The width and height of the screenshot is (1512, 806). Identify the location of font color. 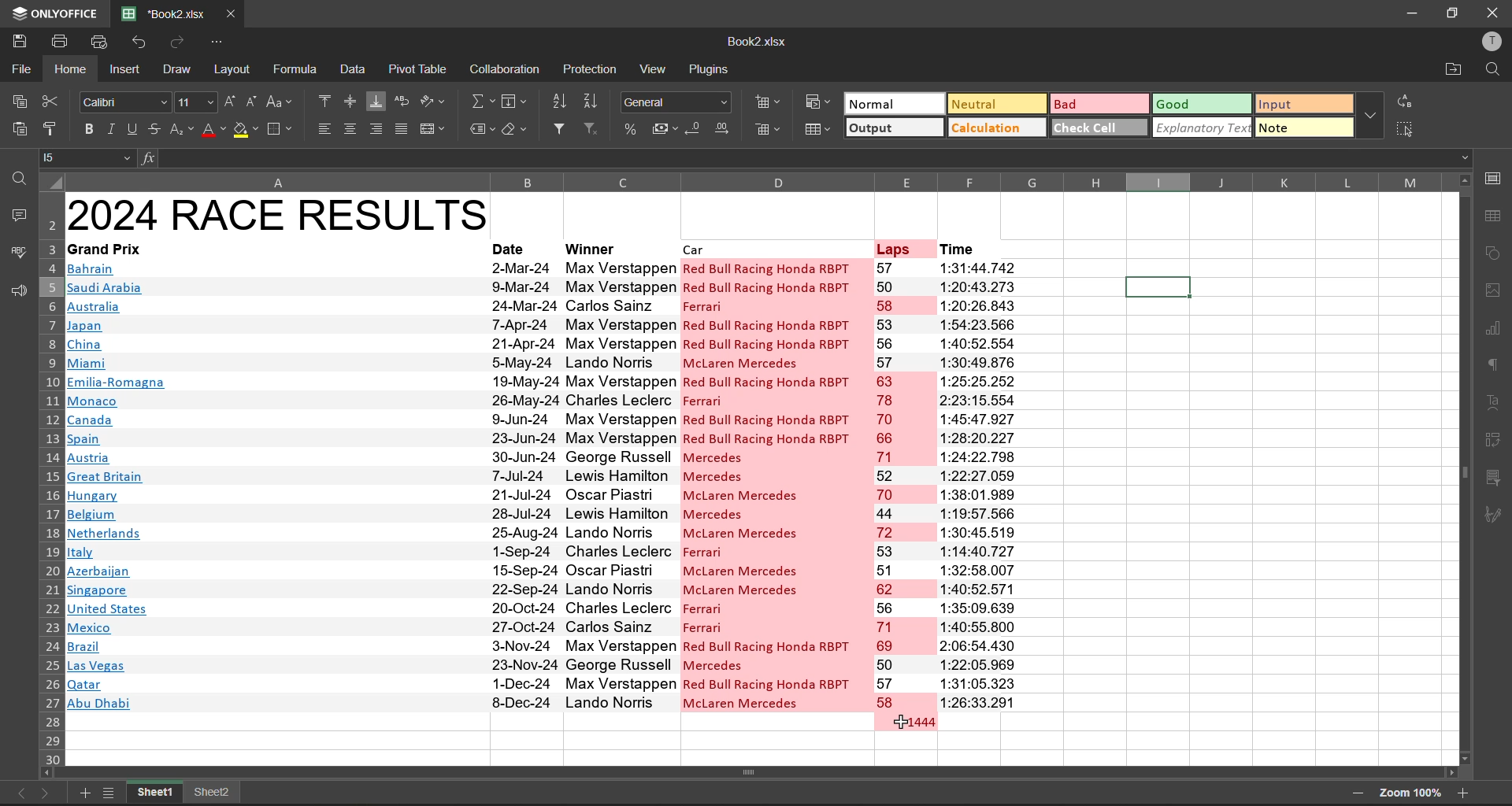
(213, 130).